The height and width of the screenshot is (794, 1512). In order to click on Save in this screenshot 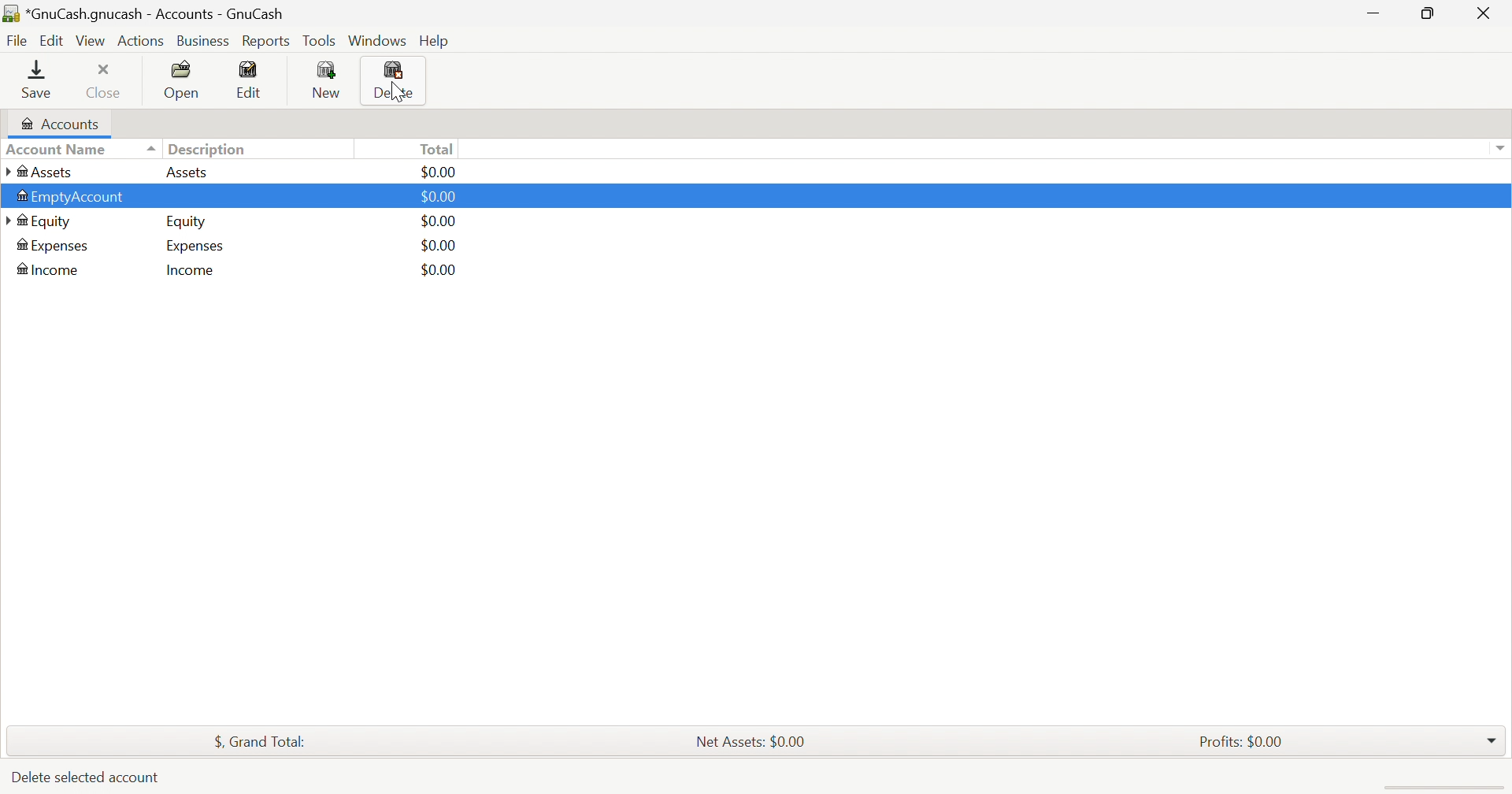, I will do `click(36, 79)`.